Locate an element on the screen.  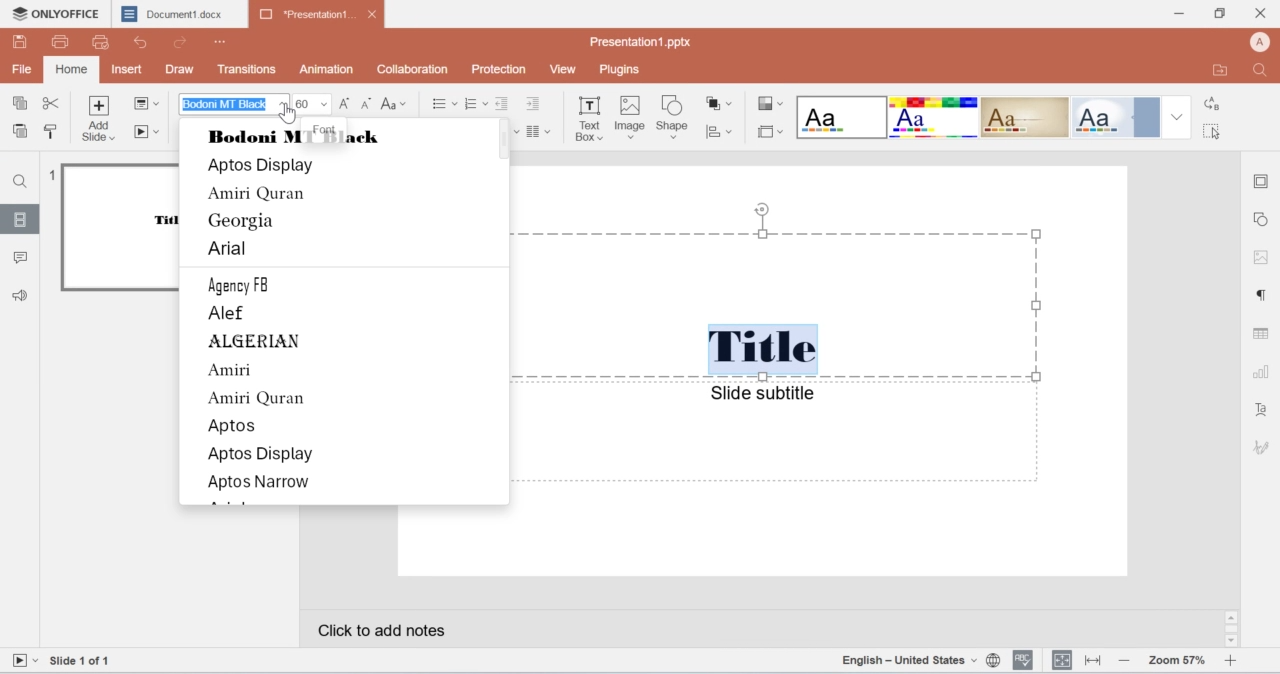
save is located at coordinates (21, 41).